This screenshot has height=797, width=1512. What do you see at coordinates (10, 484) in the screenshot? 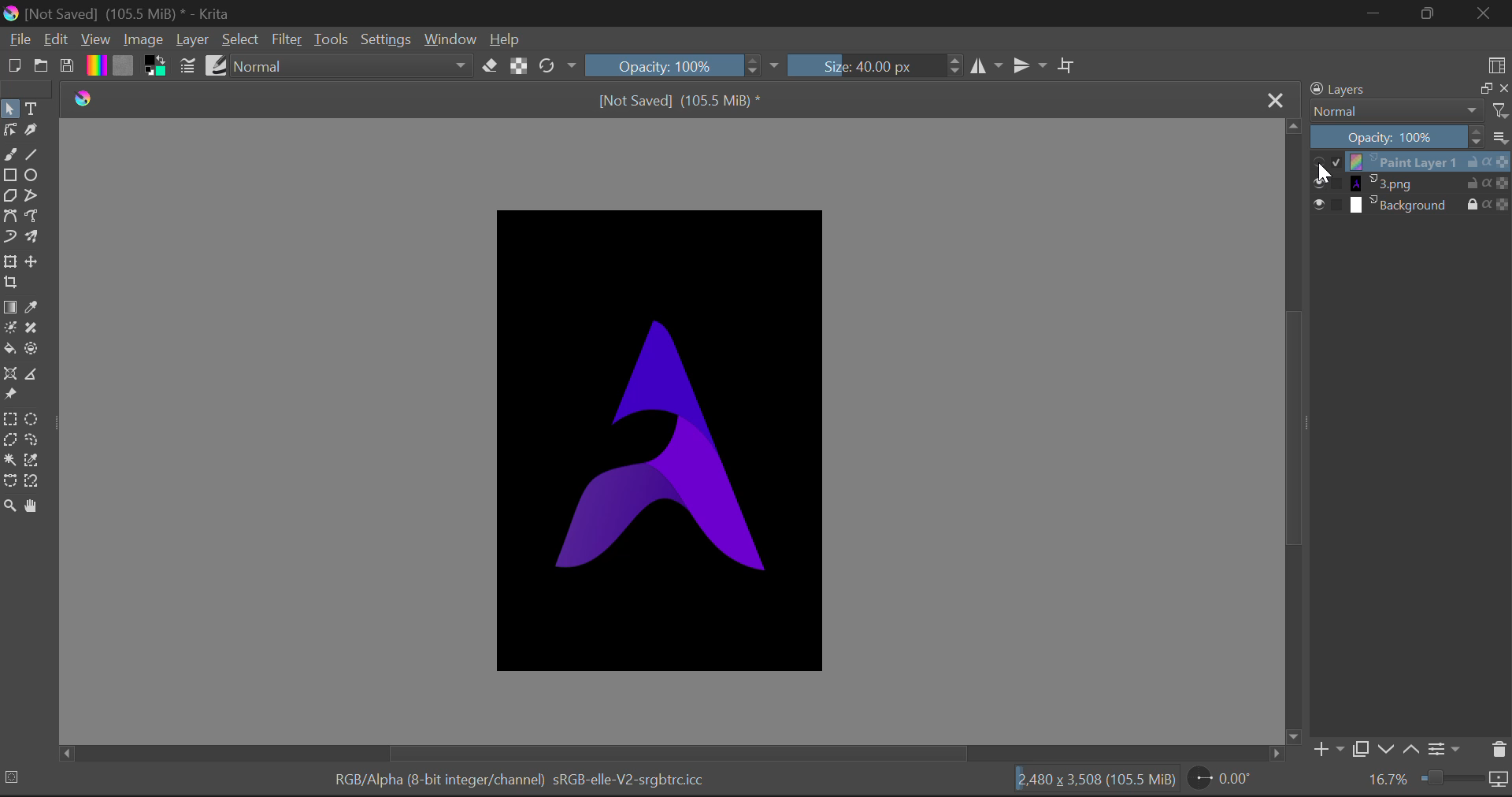
I see `Bezier Curve Selection` at bounding box center [10, 484].